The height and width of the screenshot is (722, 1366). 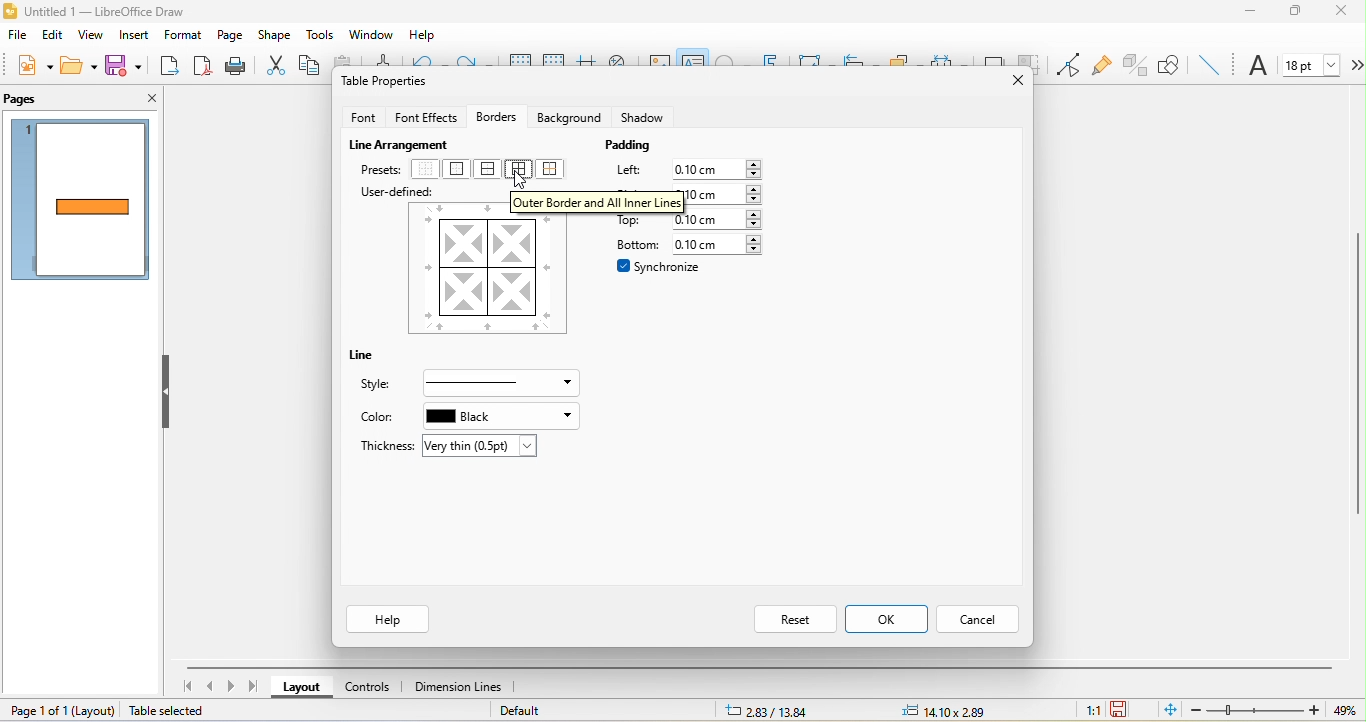 I want to click on default, so click(x=542, y=710).